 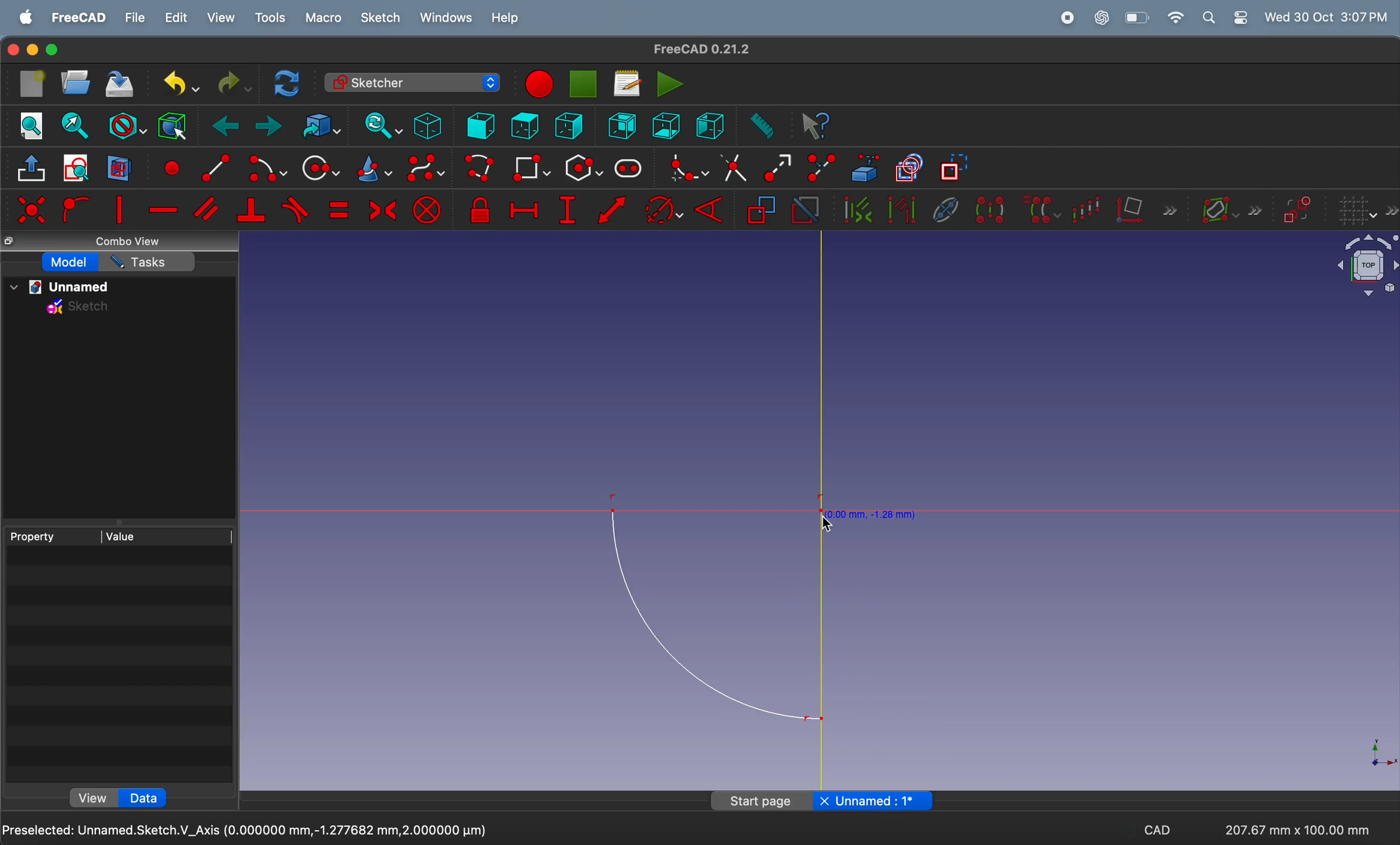 I want to click on FreeCAD 0.21.2, so click(x=702, y=48).